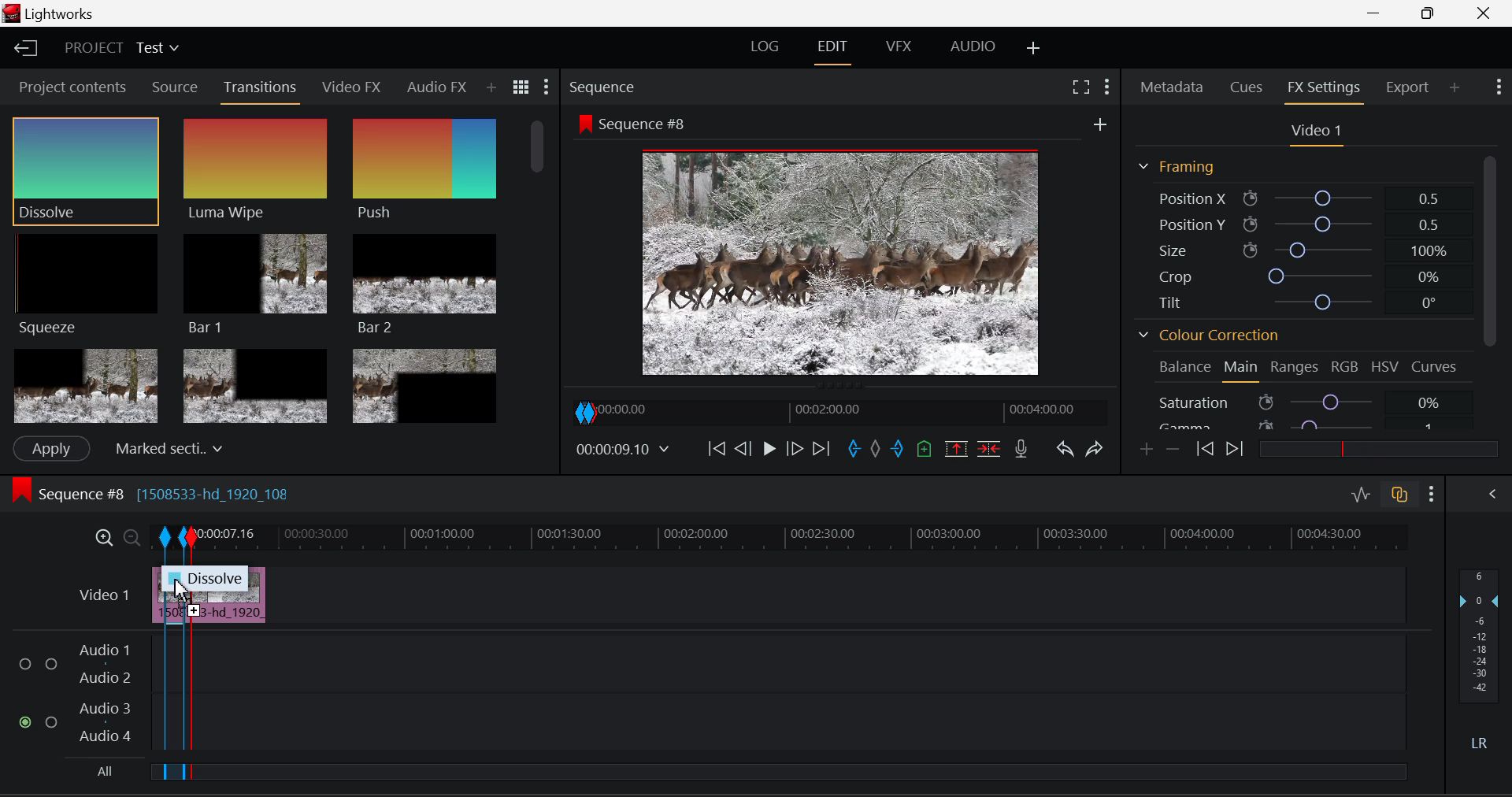  I want to click on Delete keyframes, so click(1172, 448).